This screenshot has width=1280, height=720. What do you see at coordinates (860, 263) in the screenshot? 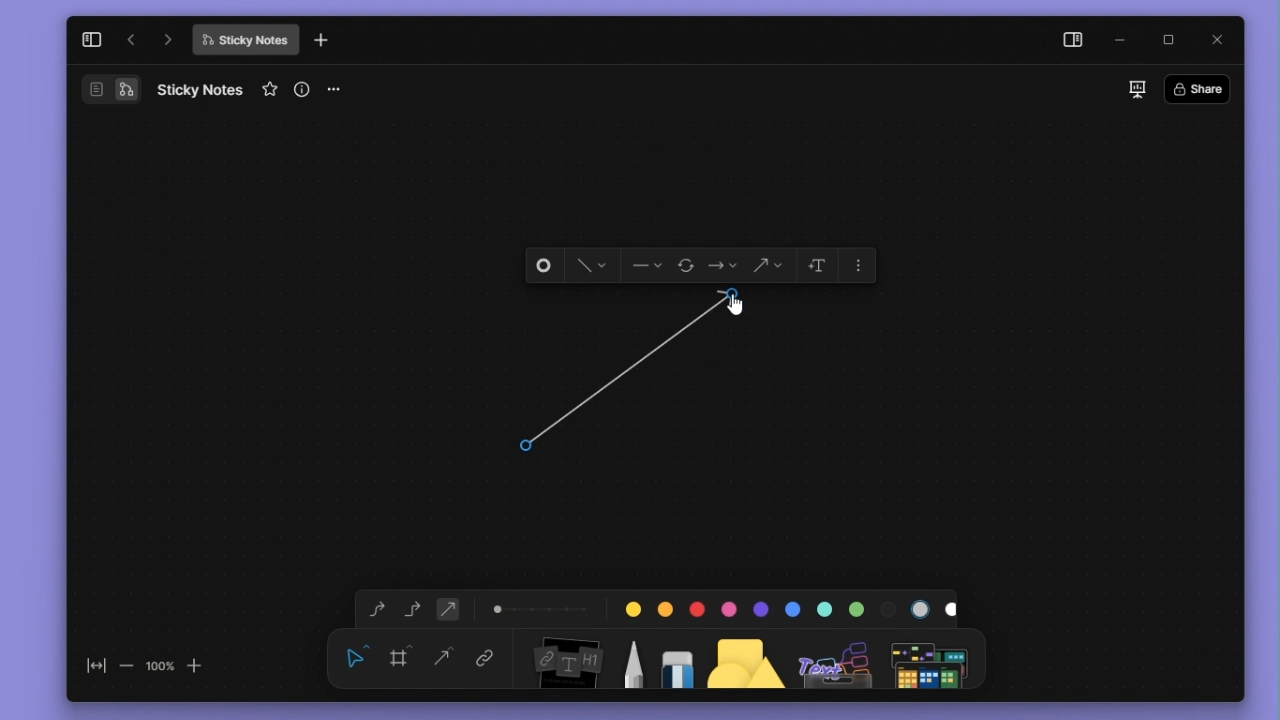
I see `more` at bounding box center [860, 263].